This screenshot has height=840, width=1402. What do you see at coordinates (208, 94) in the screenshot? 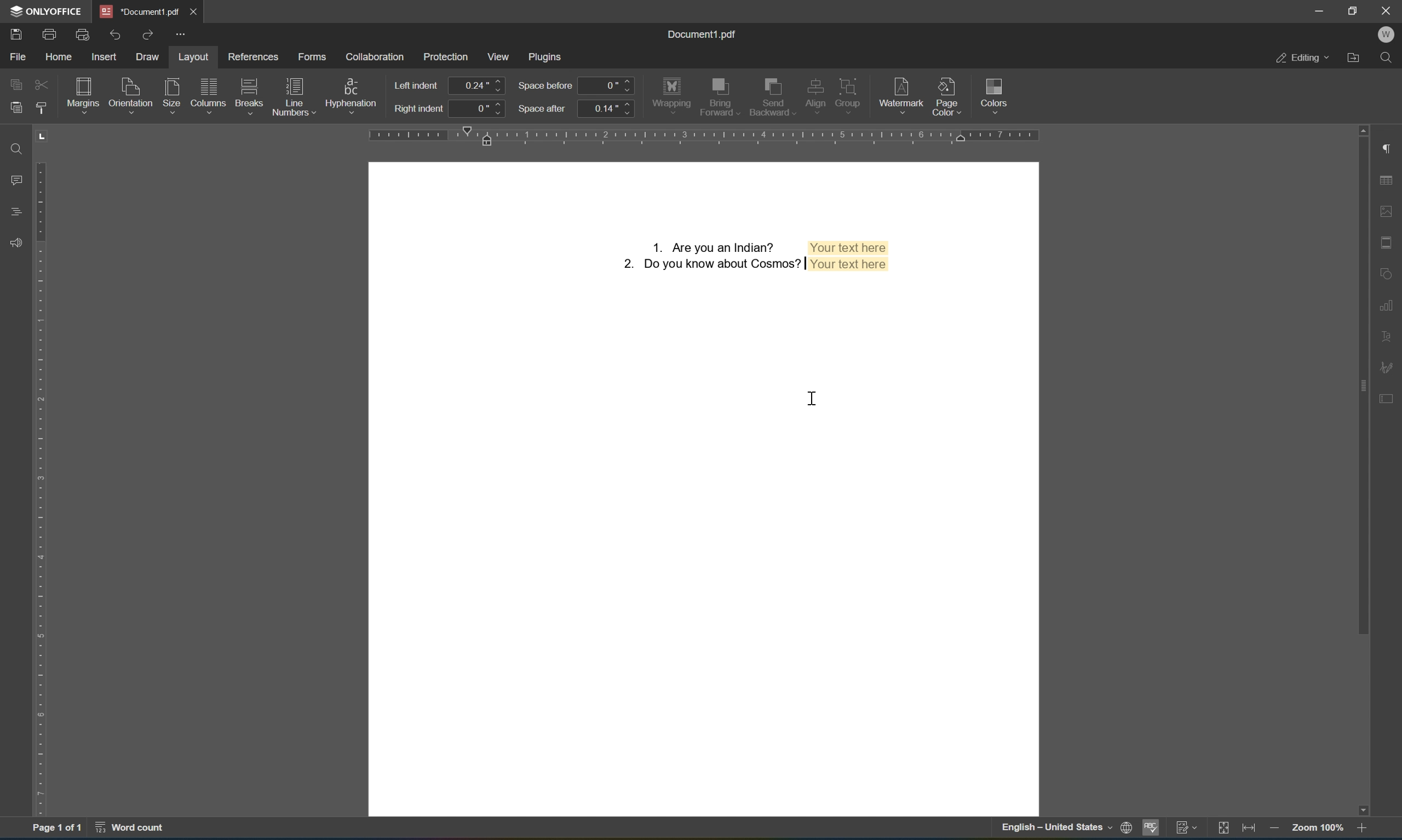
I see `columns` at bounding box center [208, 94].